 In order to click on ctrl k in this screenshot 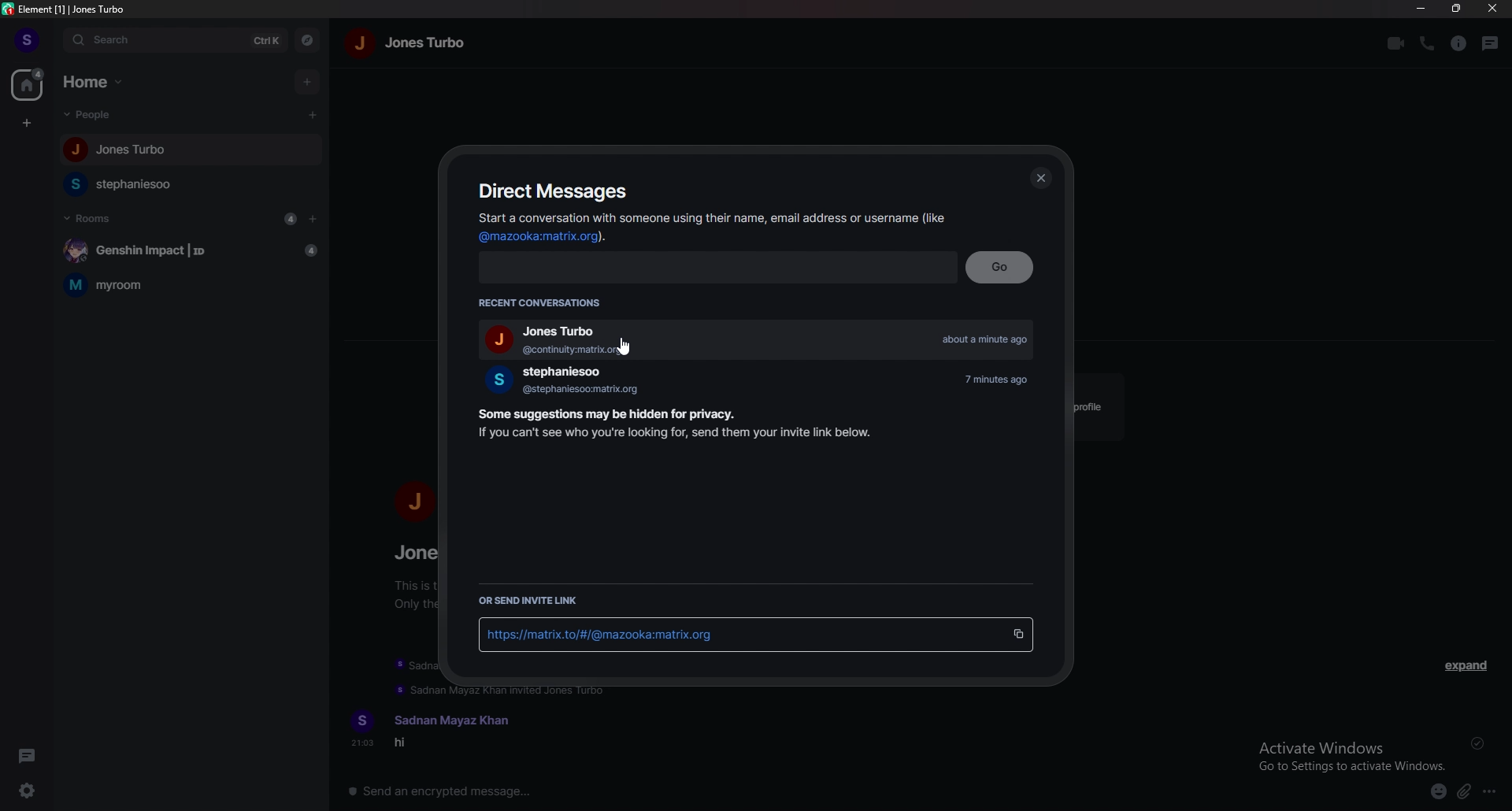, I will do `click(268, 43)`.